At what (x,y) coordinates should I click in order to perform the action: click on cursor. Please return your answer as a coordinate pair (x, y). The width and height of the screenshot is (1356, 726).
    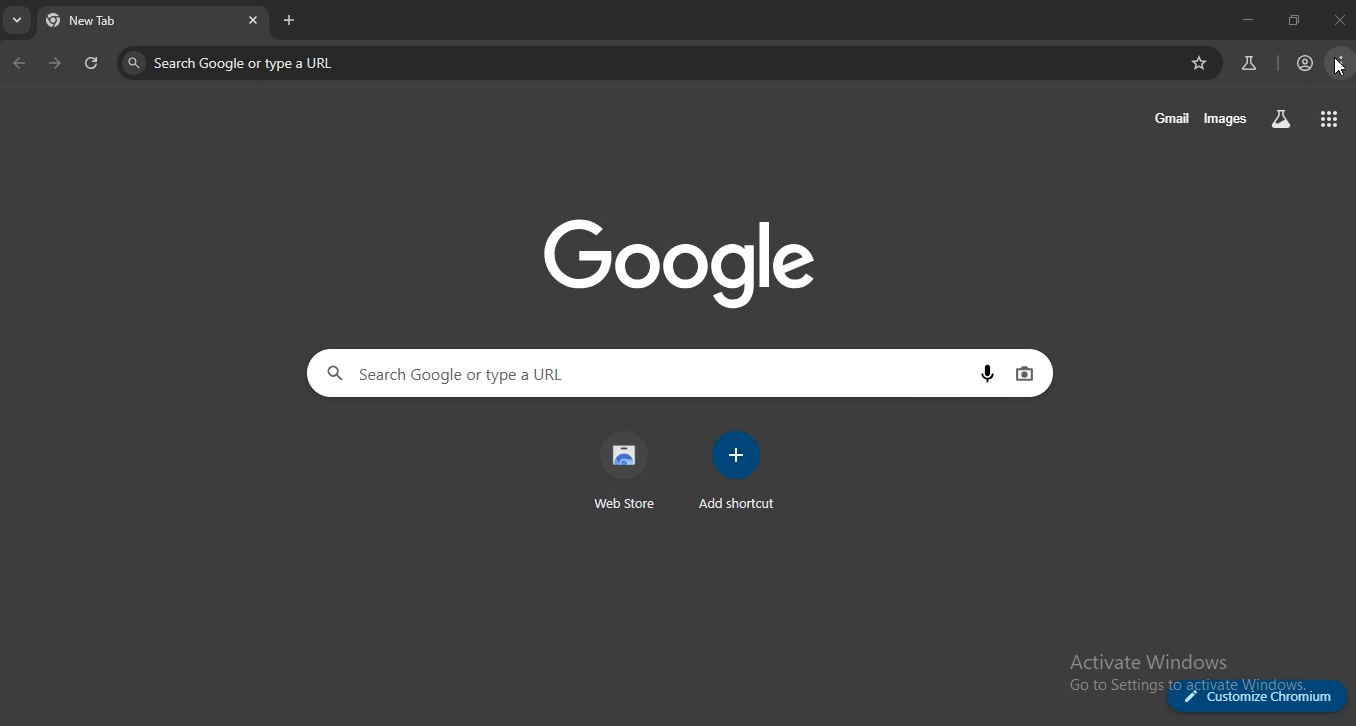
    Looking at the image, I should click on (1339, 68).